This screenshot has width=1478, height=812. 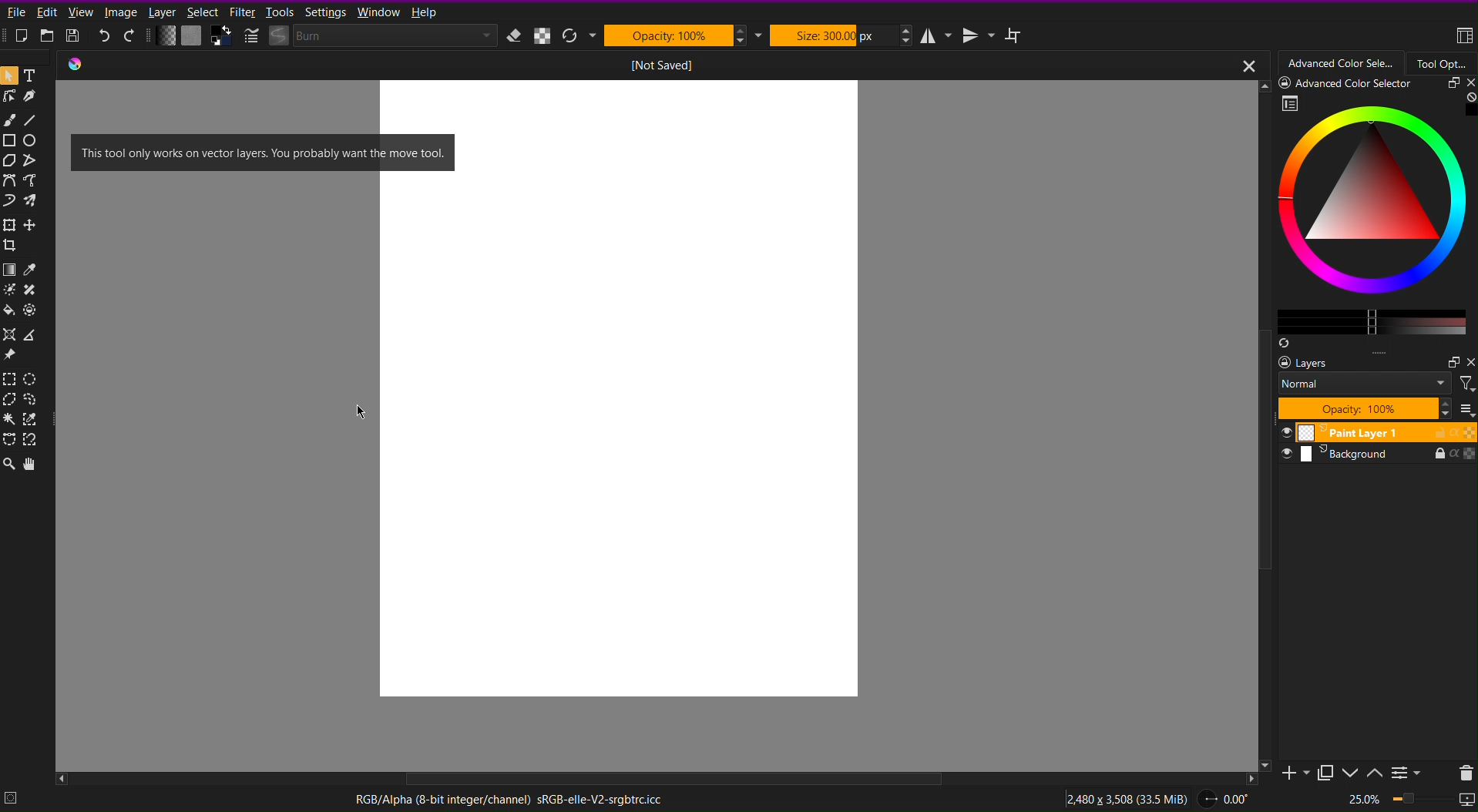 What do you see at coordinates (23, 346) in the screenshot?
I see `Assistant Tools` at bounding box center [23, 346].